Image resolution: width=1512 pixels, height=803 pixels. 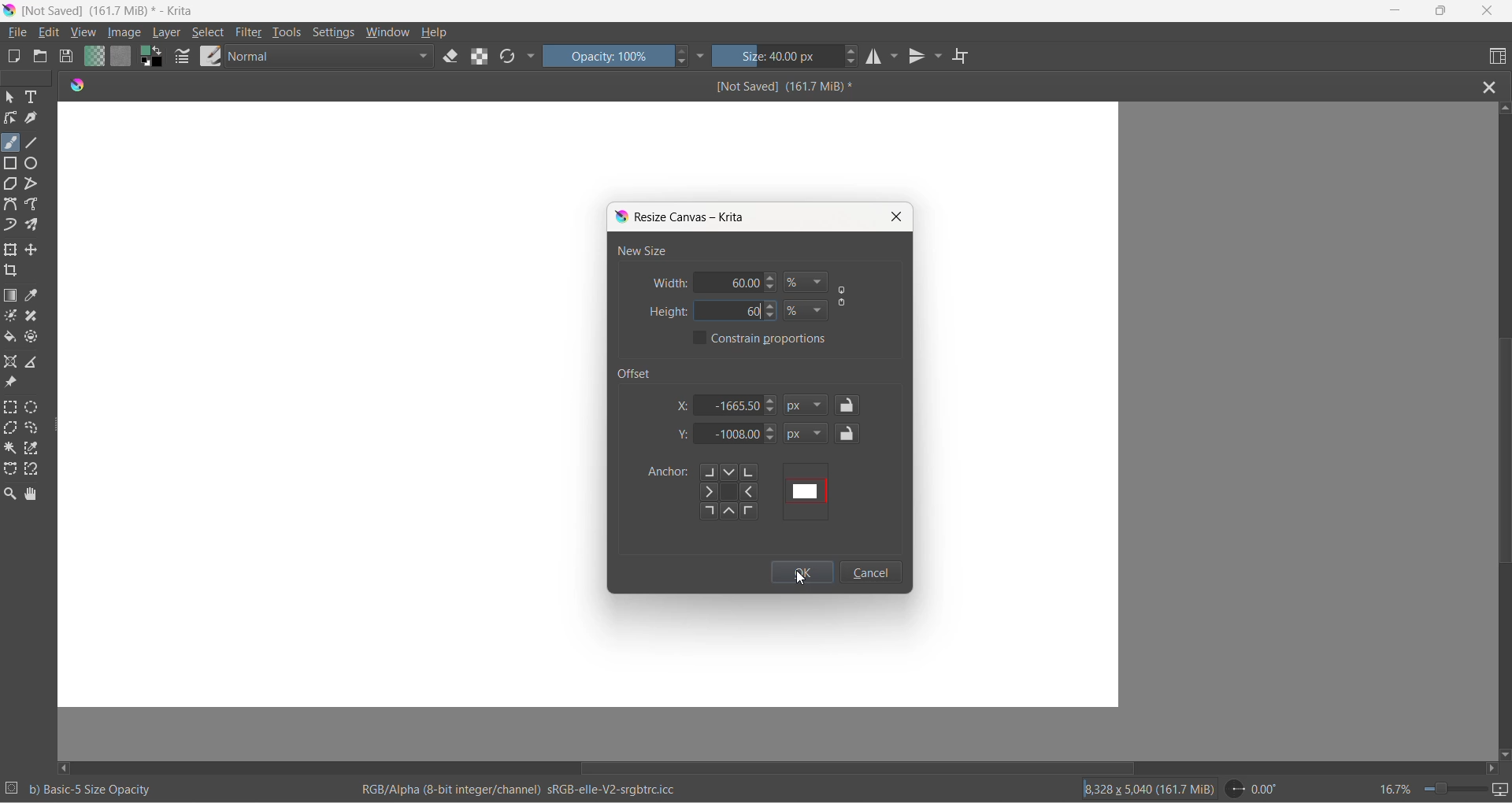 I want to click on freehand path tool, so click(x=35, y=205).